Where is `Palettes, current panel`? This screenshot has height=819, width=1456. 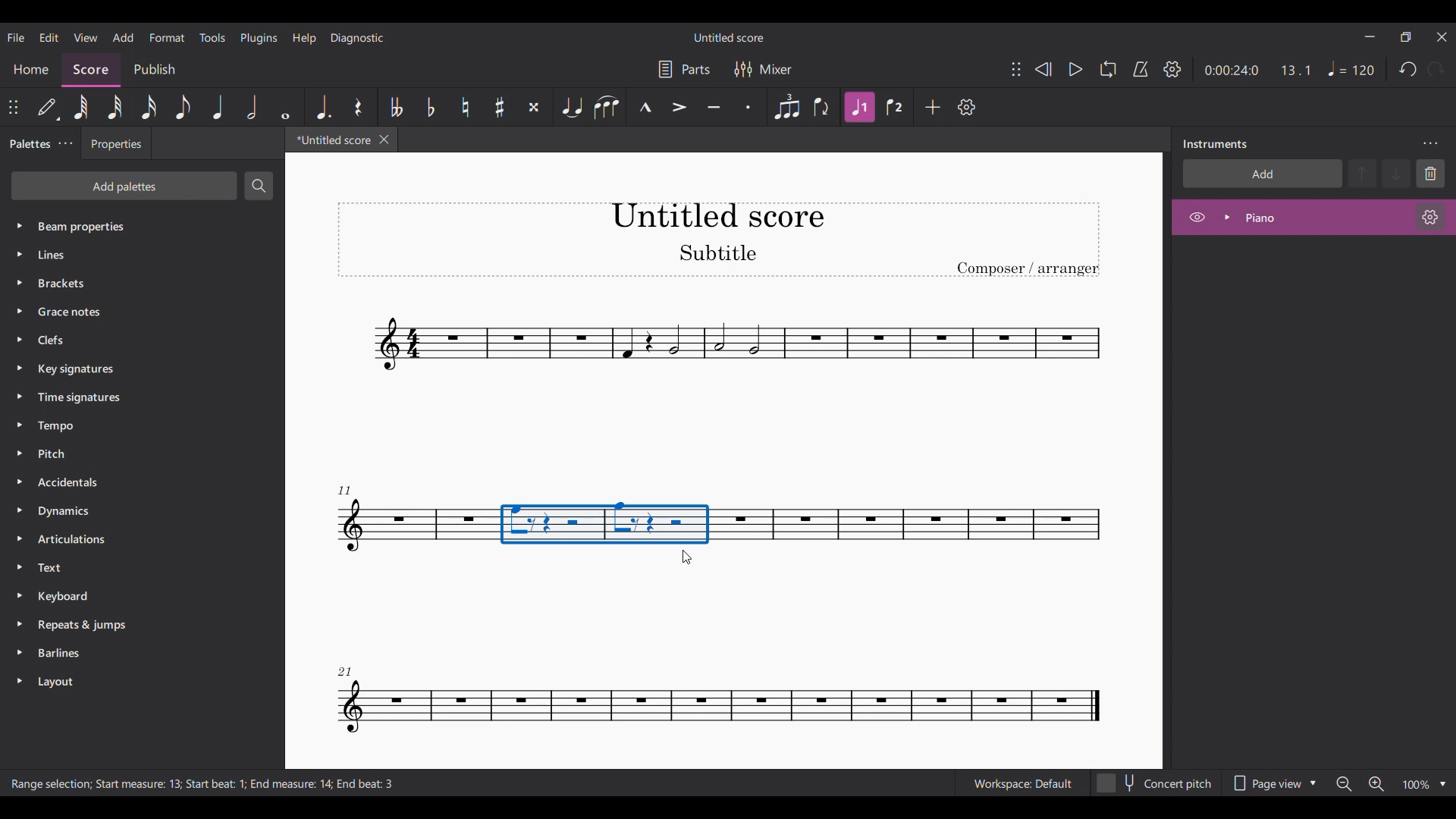
Palettes, current panel is located at coordinates (27, 146).